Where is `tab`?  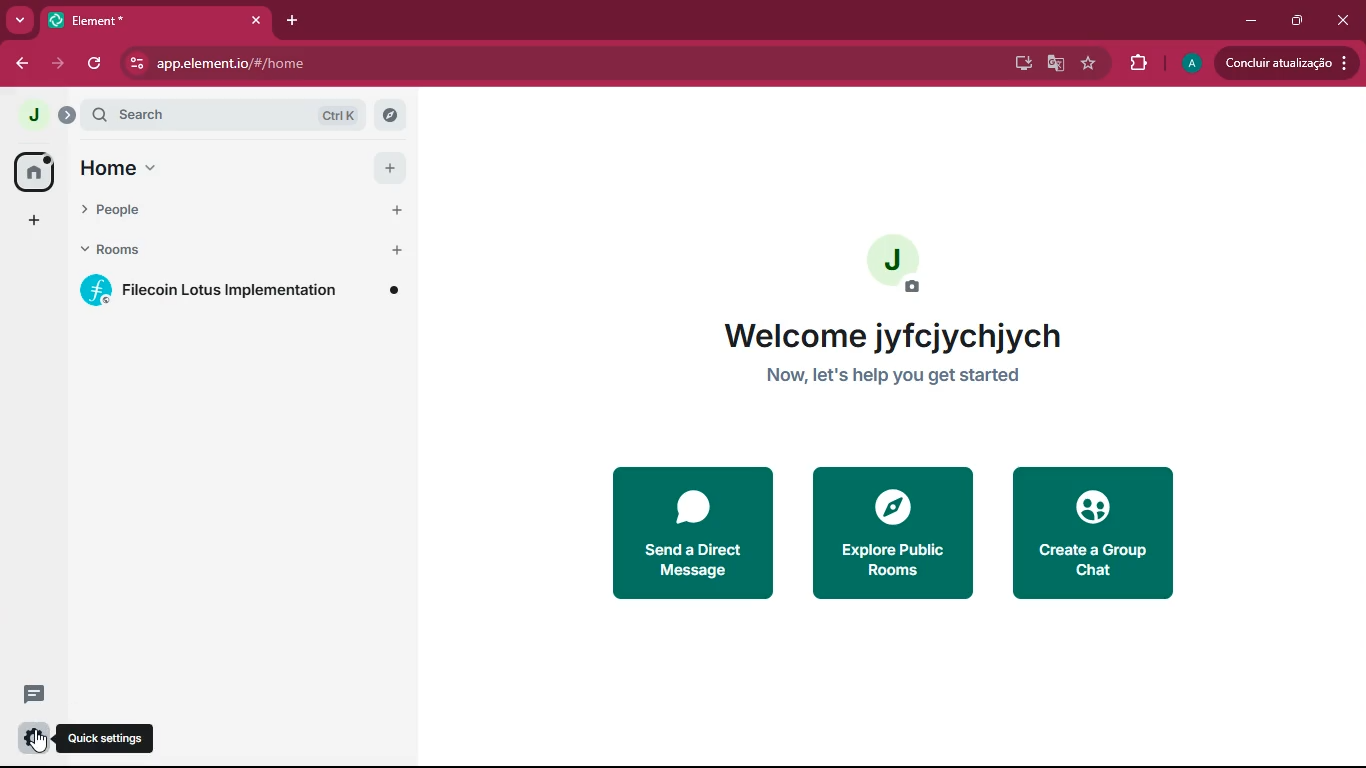
tab is located at coordinates (145, 21).